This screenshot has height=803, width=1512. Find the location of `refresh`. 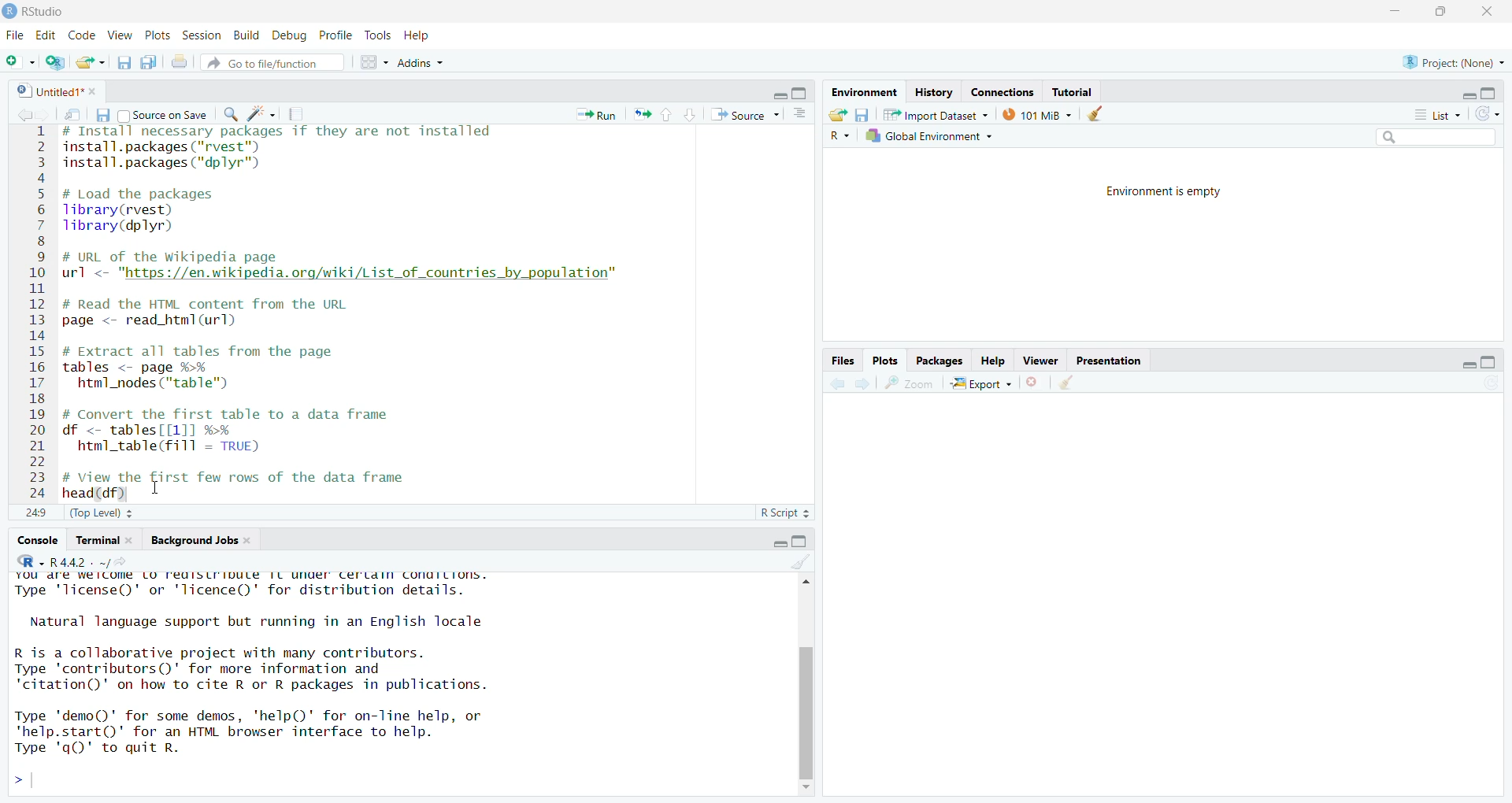

refresh is located at coordinates (1490, 382).